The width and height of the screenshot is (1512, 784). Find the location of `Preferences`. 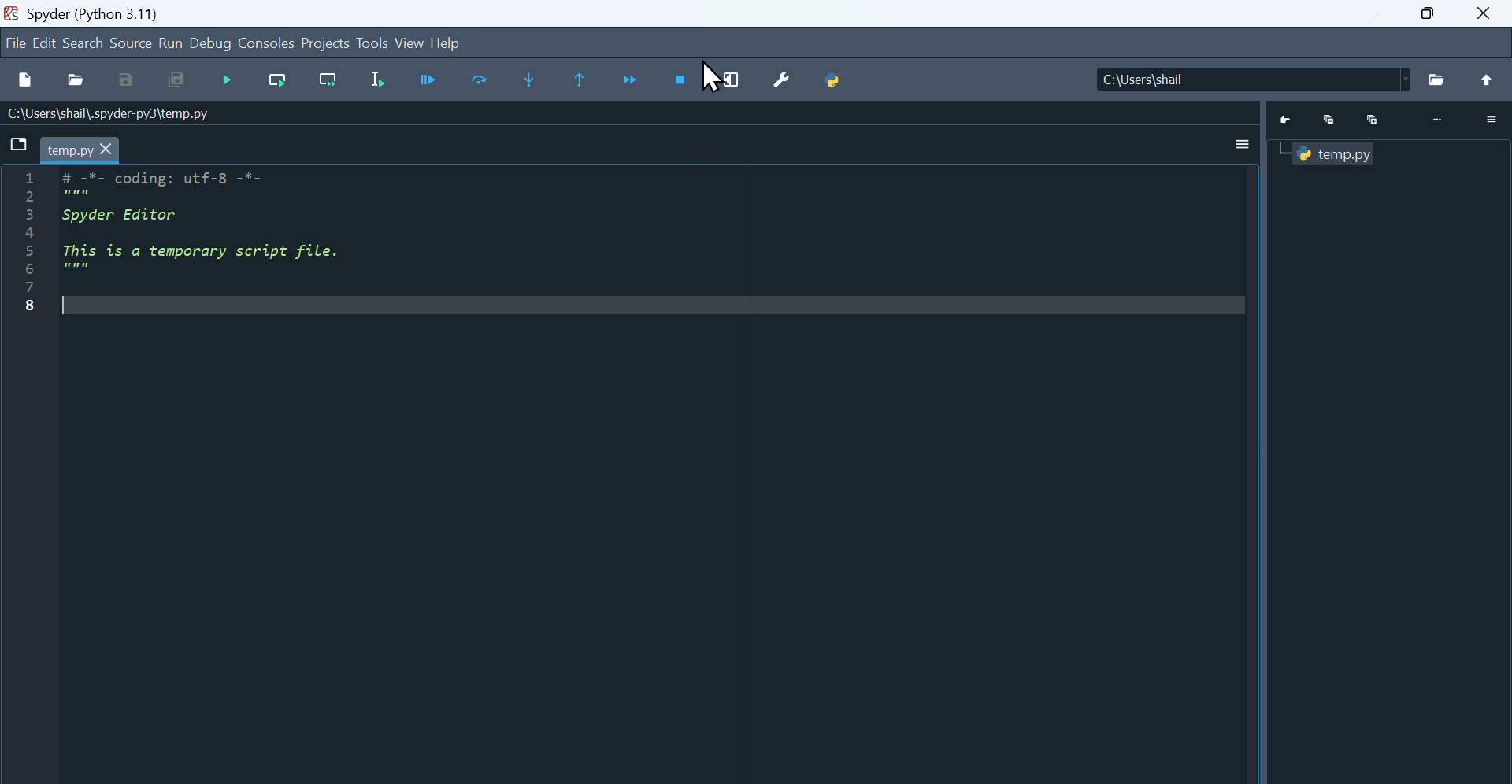

Preferences is located at coordinates (782, 81).